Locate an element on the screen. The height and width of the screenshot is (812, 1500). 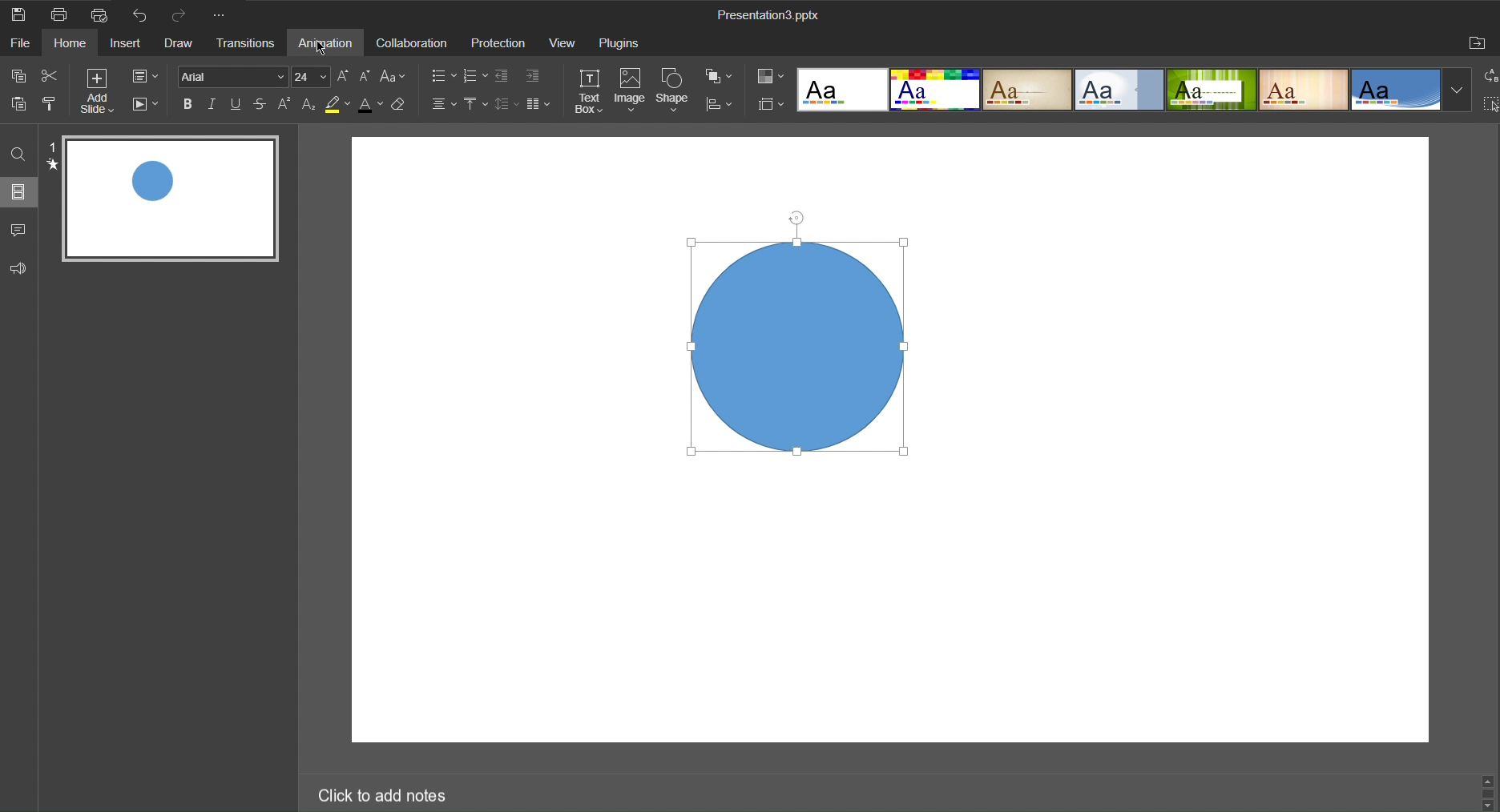
Select All is located at coordinates (1490, 103).